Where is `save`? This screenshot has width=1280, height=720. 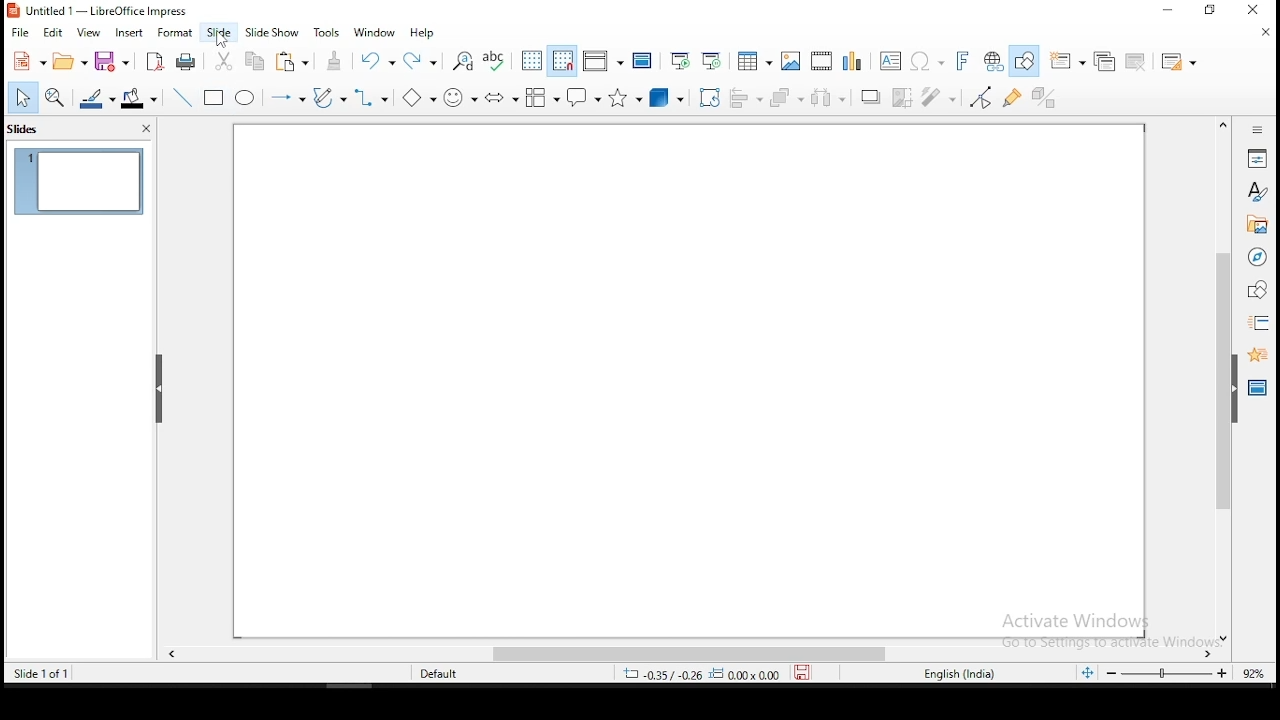
save is located at coordinates (113, 60).